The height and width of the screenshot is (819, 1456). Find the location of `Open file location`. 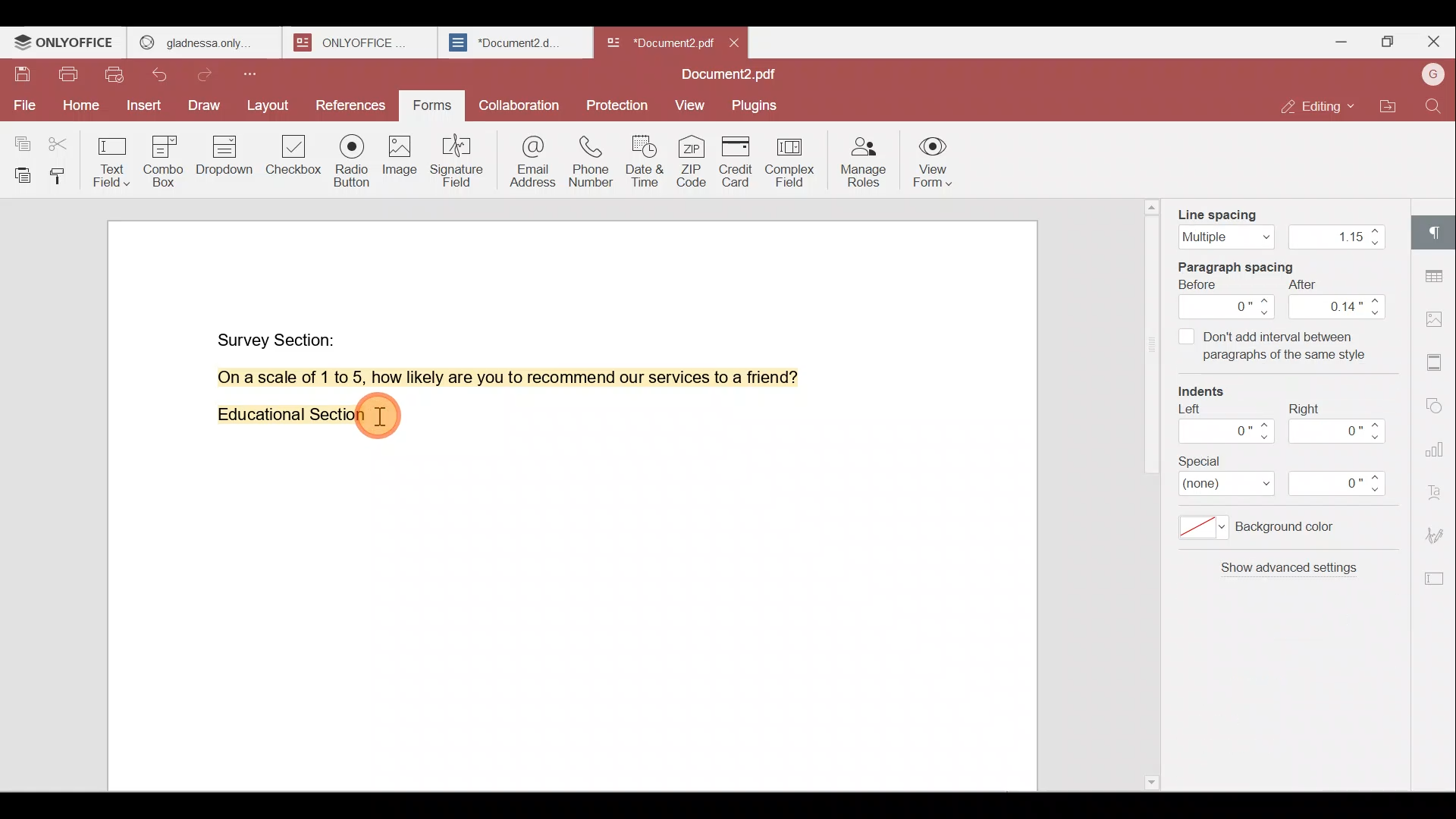

Open file location is located at coordinates (1389, 108).